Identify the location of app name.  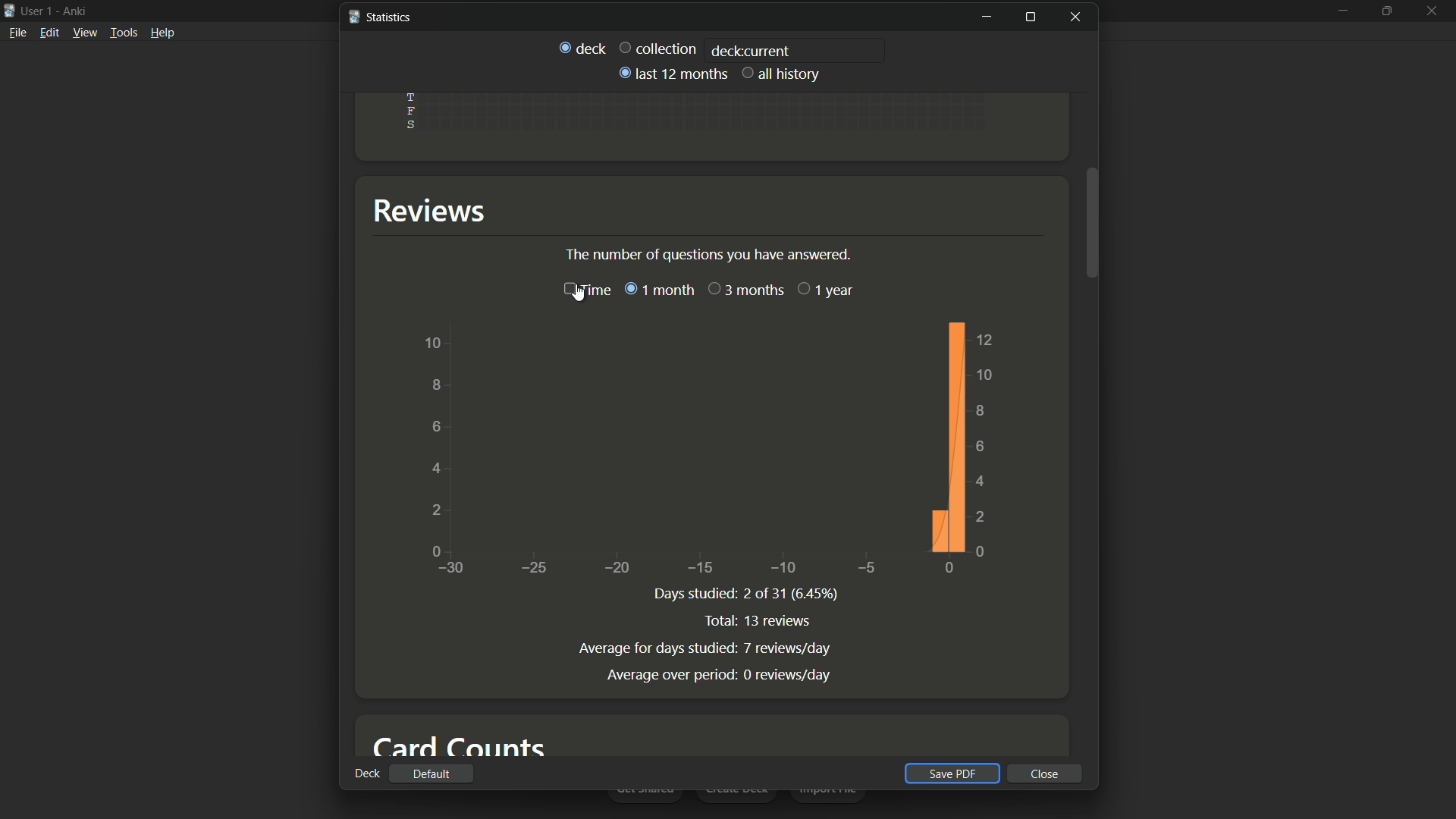
(74, 11).